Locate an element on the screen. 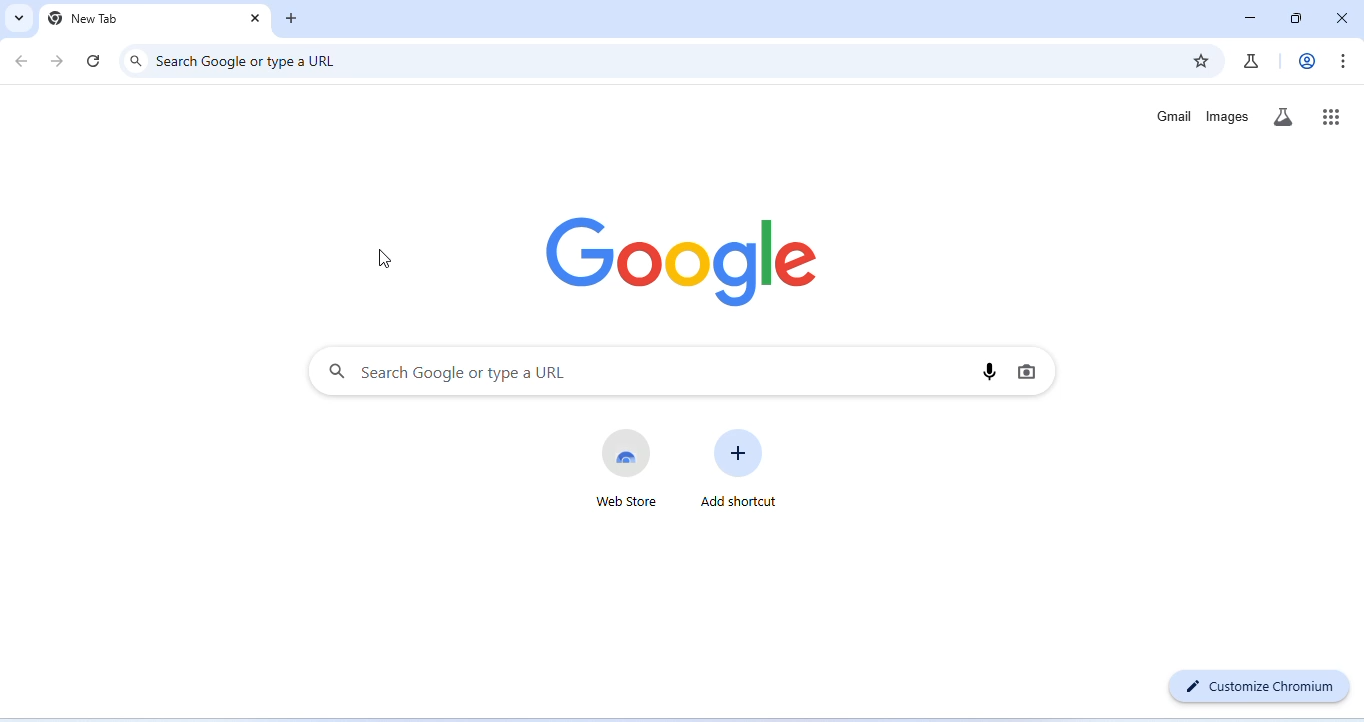 Image resolution: width=1364 pixels, height=722 pixels. account is located at coordinates (1308, 61).